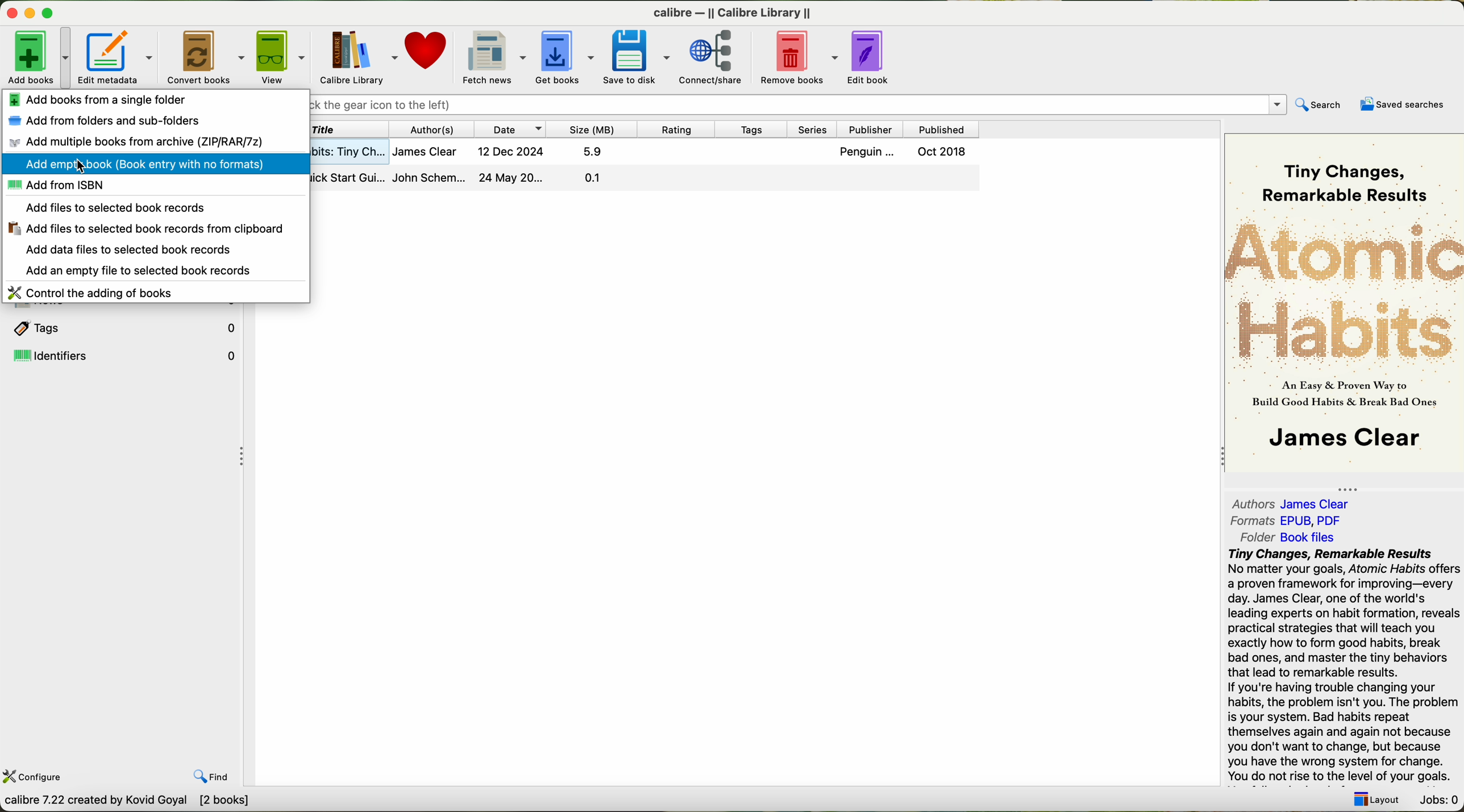 The image size is (1464, 812). Describe the element at coordinates (493, 56) in the screenshot. I see `fetch news` at that location.